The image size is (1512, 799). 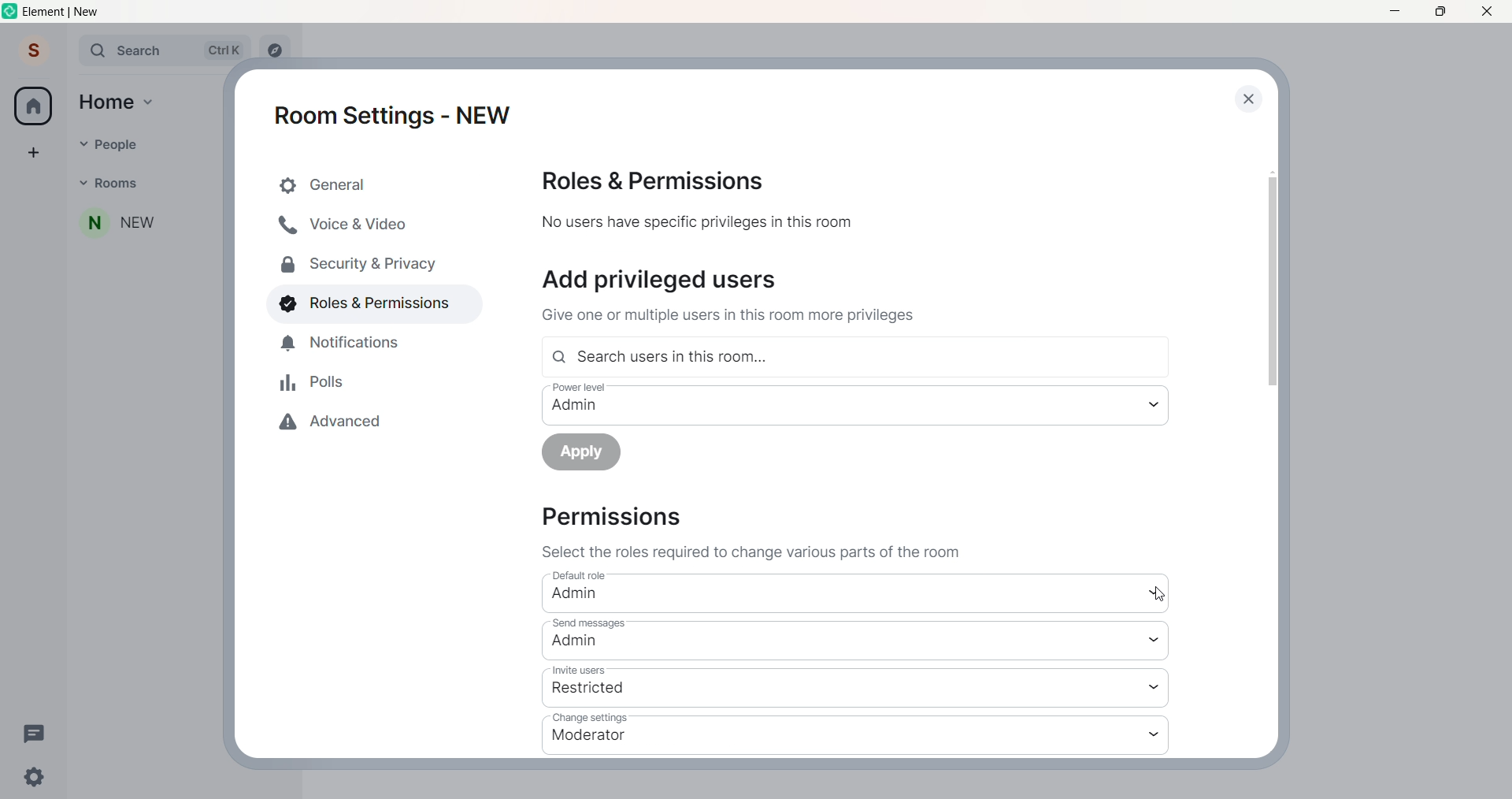 What do you see at coordinates (31, 779) in the screenshot?
I see `setting` at bounding box center [31, 779].